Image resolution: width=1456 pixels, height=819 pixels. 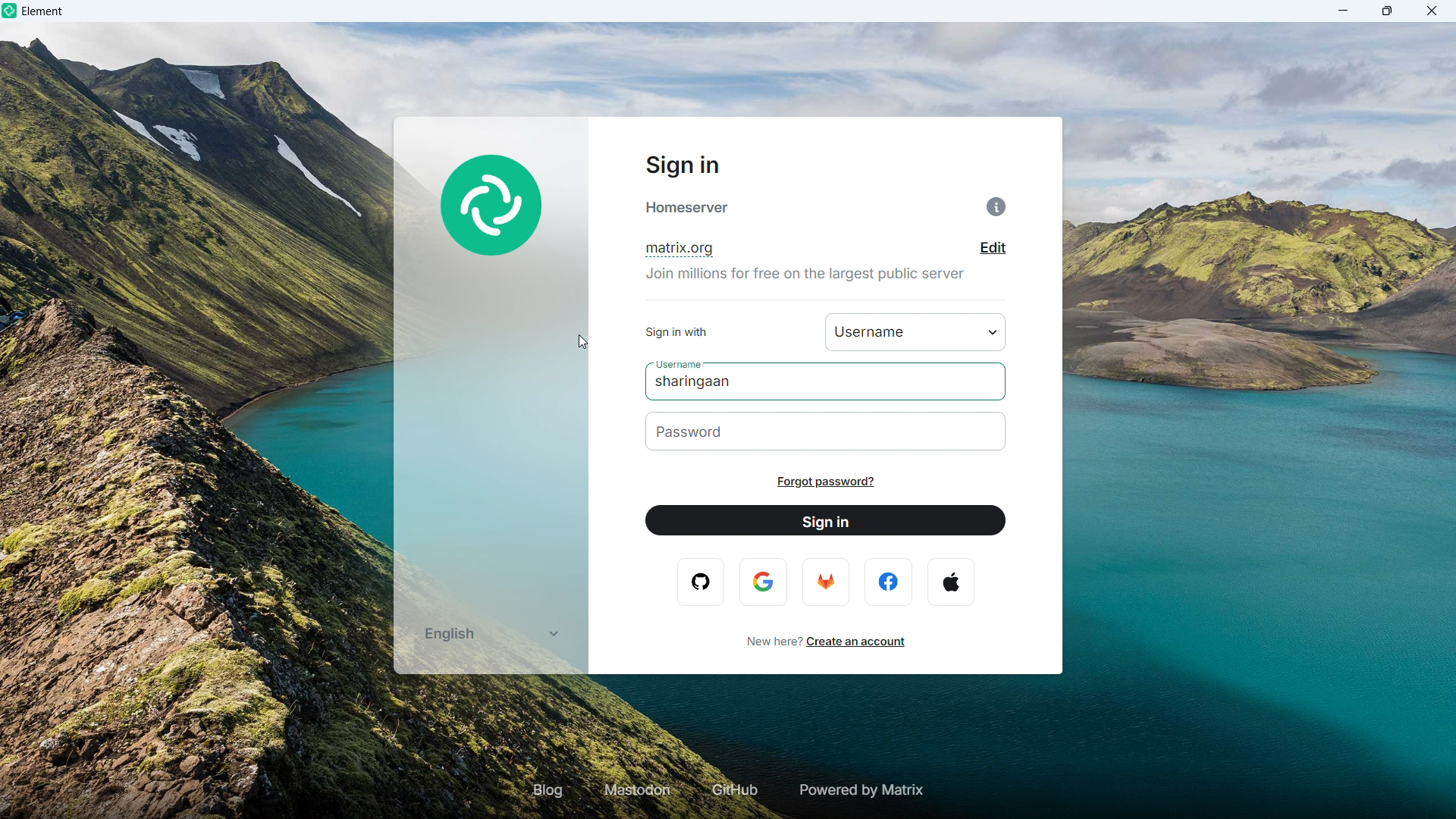 I want to click on Sign in with , so click(x=916, y=331).